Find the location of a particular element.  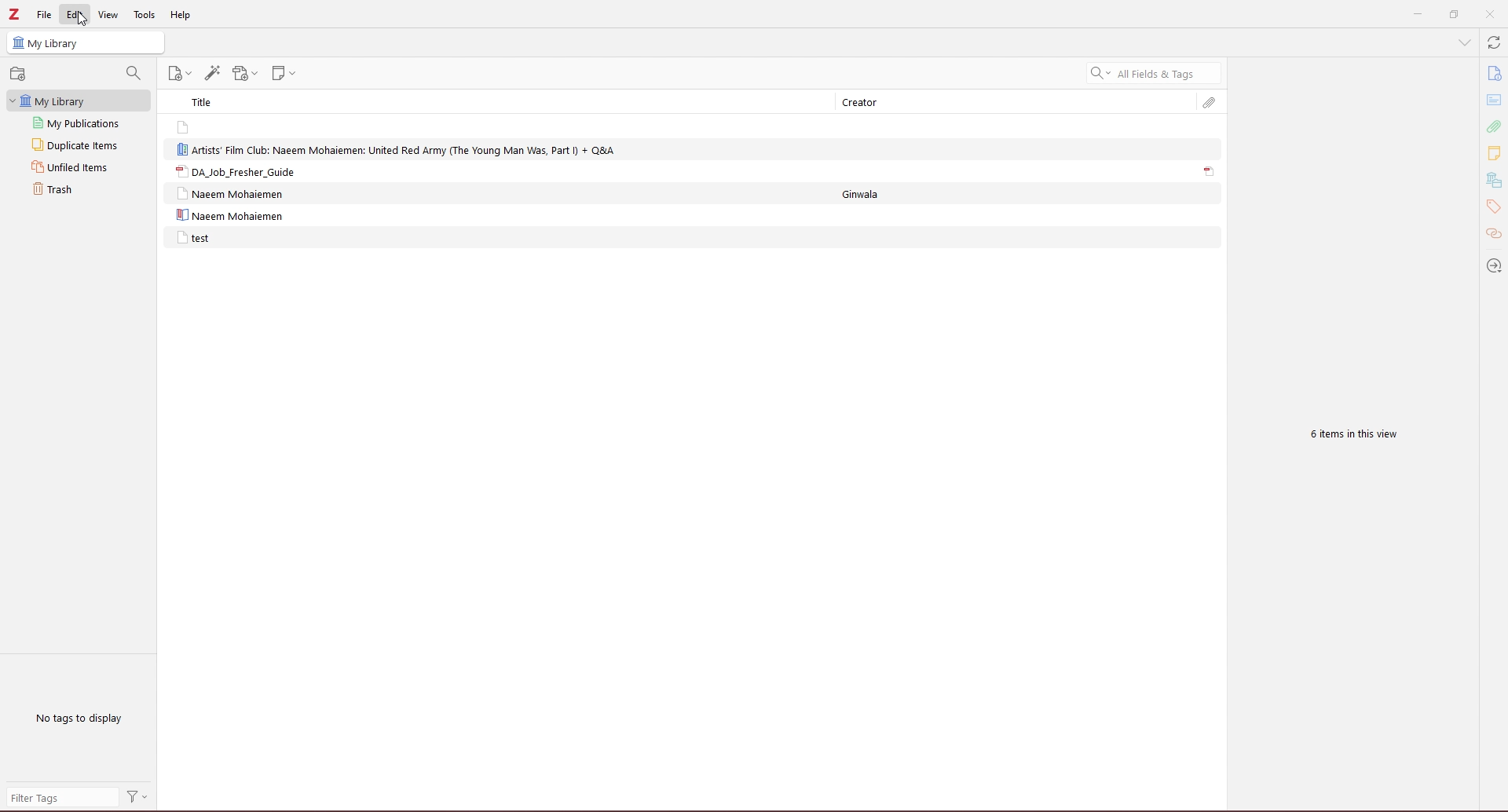

locate is located at coordinates (1492, 265).